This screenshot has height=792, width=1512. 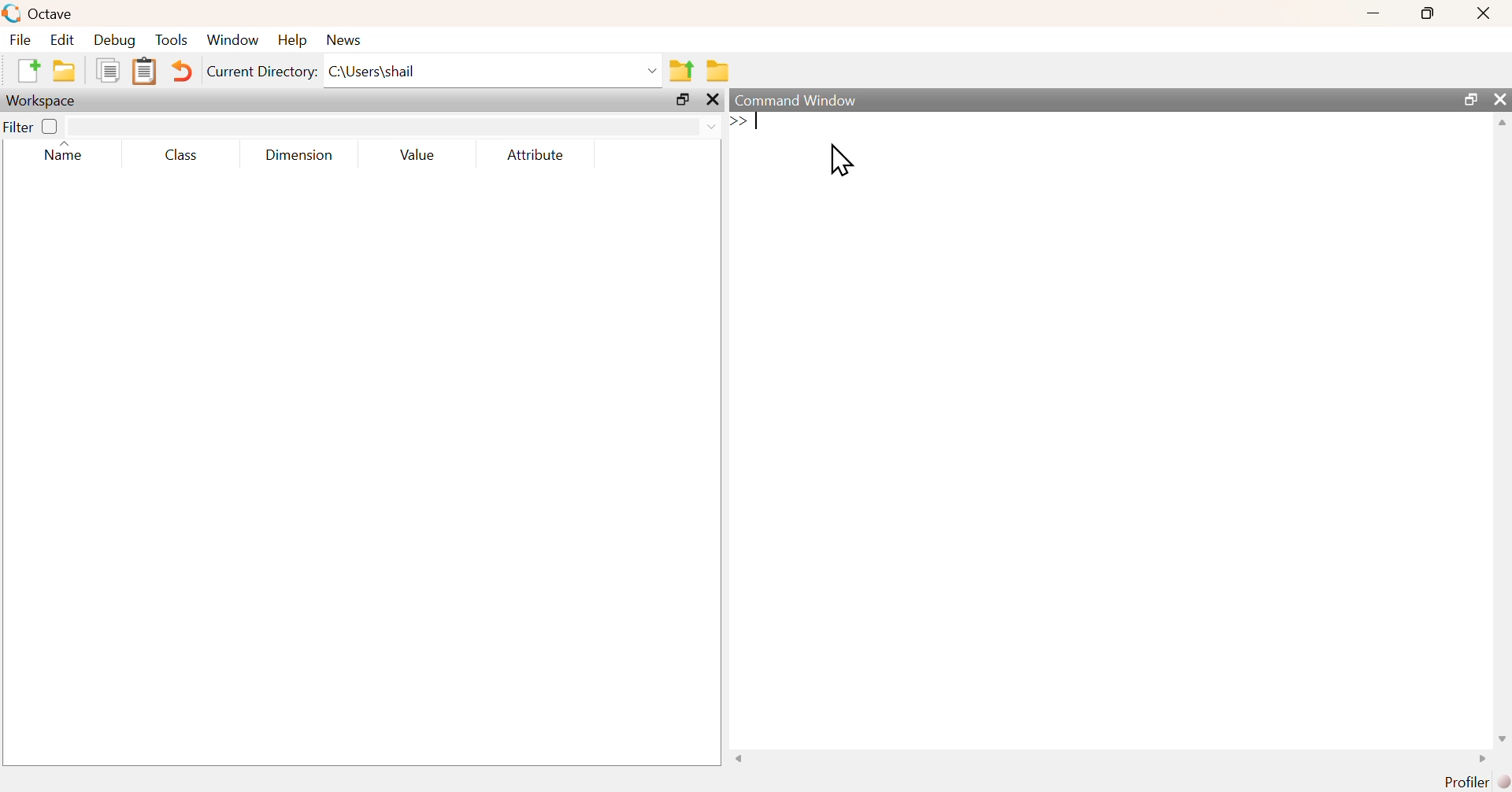 What do you see at coordinates (759, 122) in the screenshot?
I see `Tap text` at bounding box center [759, 122].